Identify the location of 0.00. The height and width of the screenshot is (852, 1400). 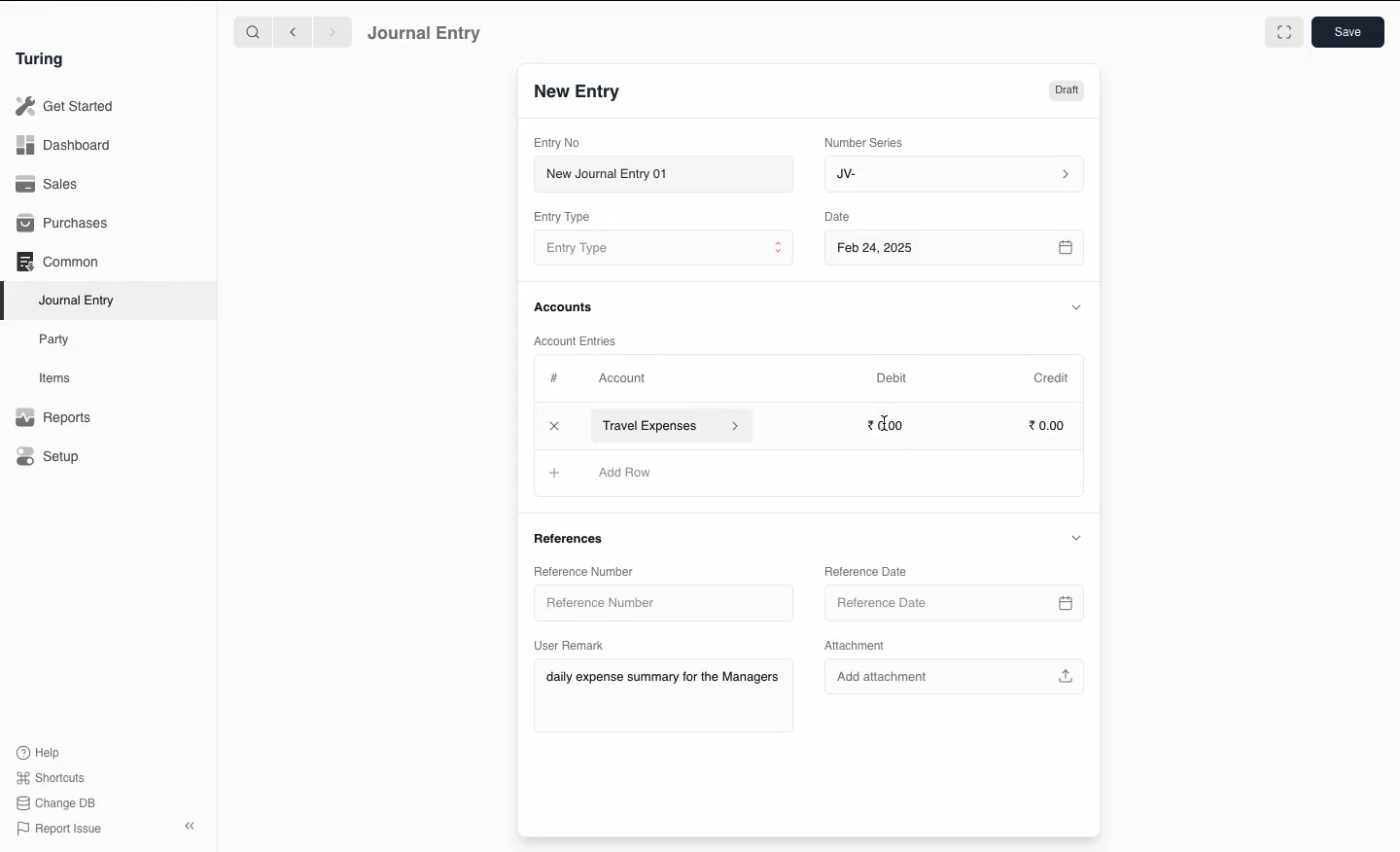
(887, 424).